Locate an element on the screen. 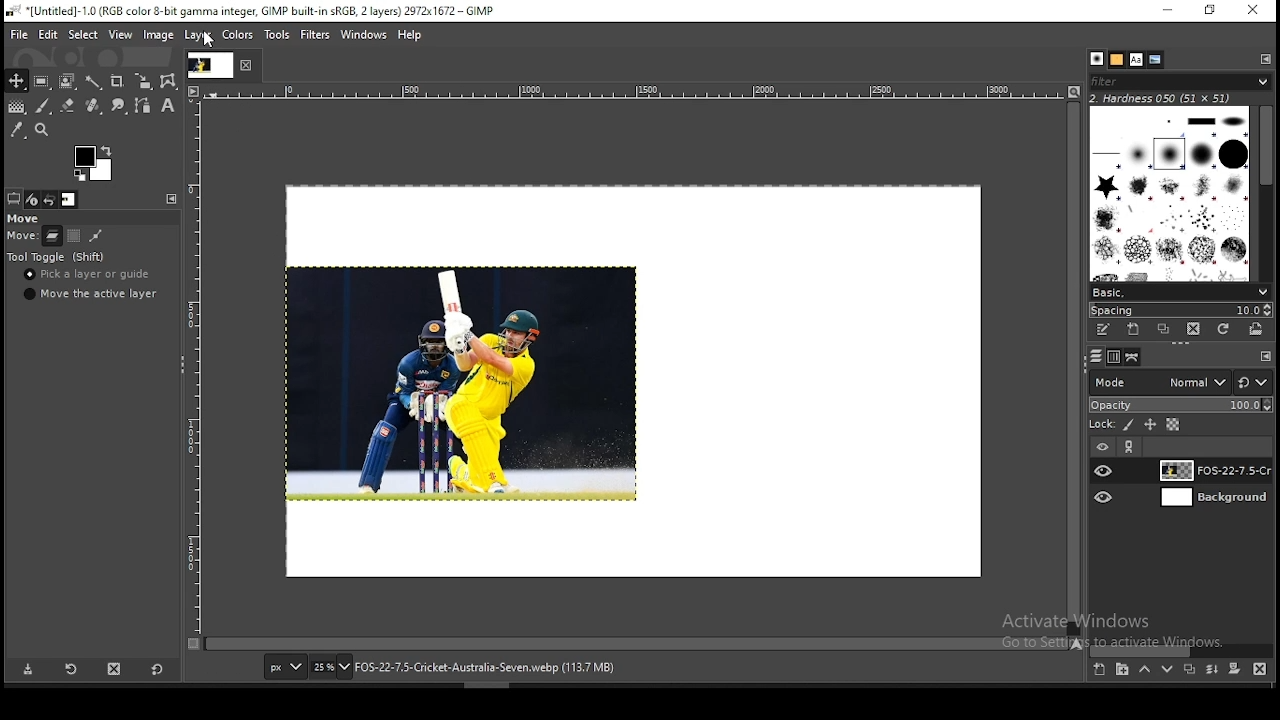 The image size is (1280, 720). fuzzy select tool is located at coordinates (96, 80).